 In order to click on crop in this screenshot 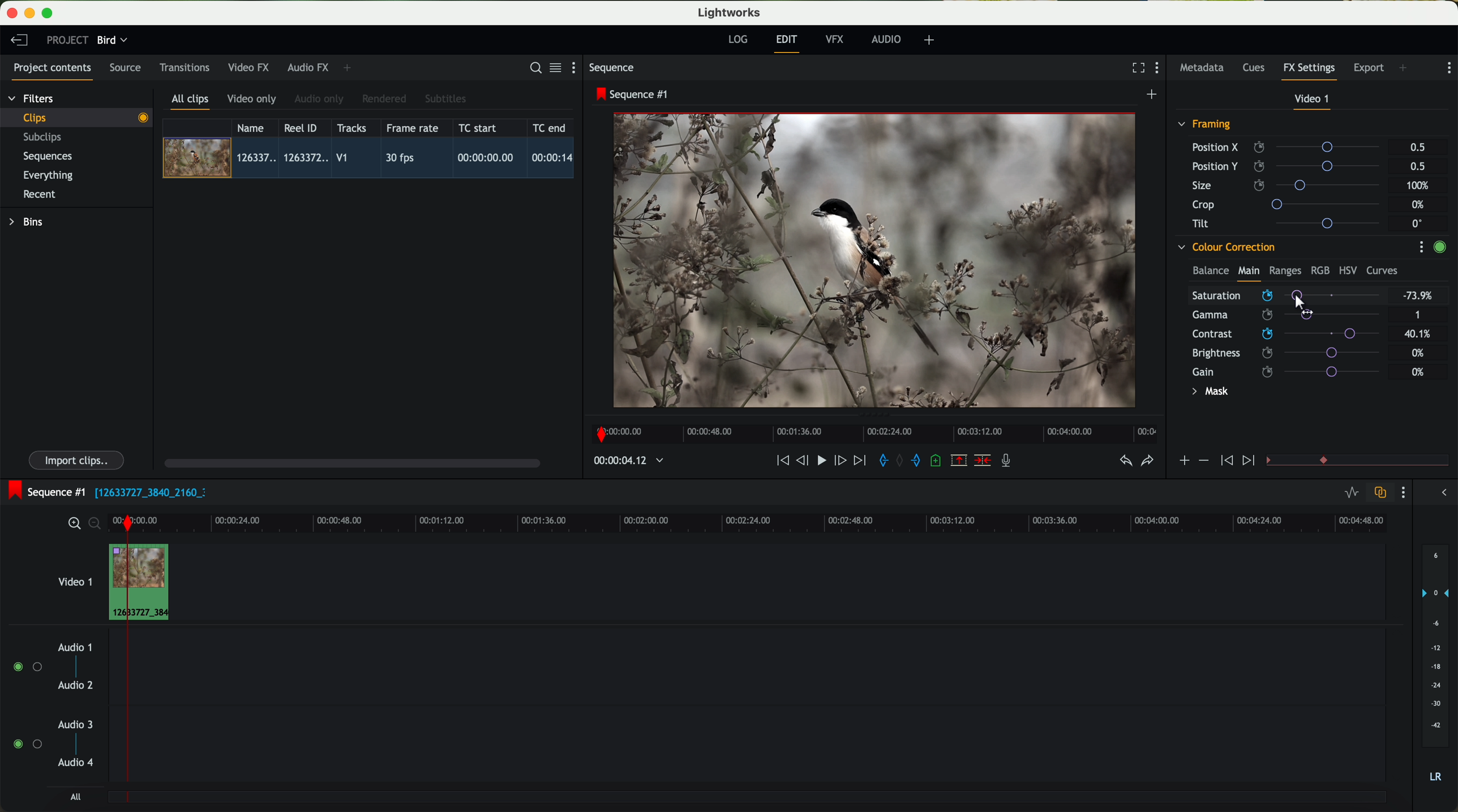, I will do `click(1290, 204)`.